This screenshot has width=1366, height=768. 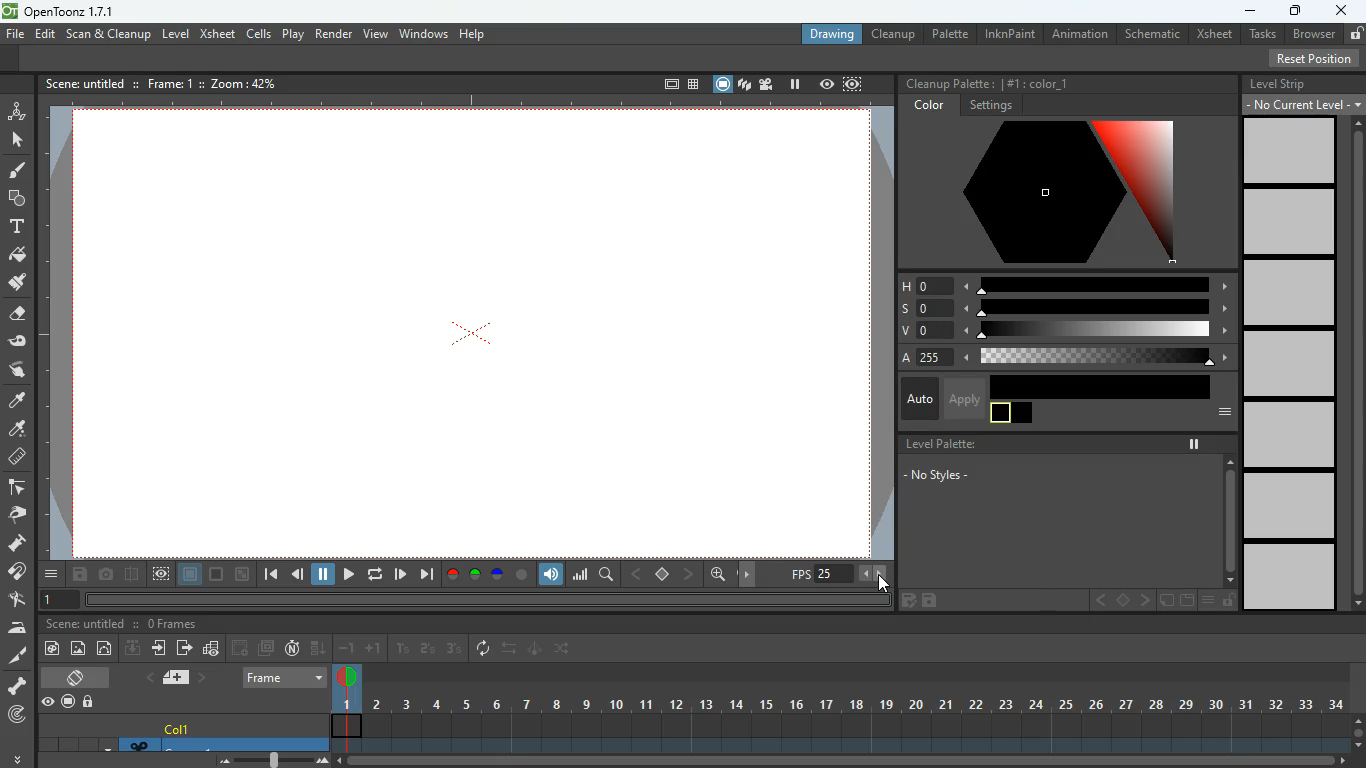 What do you see at coordinates (132, 648) in the screenshot?
I see `download` at bounding box center [132, 648].